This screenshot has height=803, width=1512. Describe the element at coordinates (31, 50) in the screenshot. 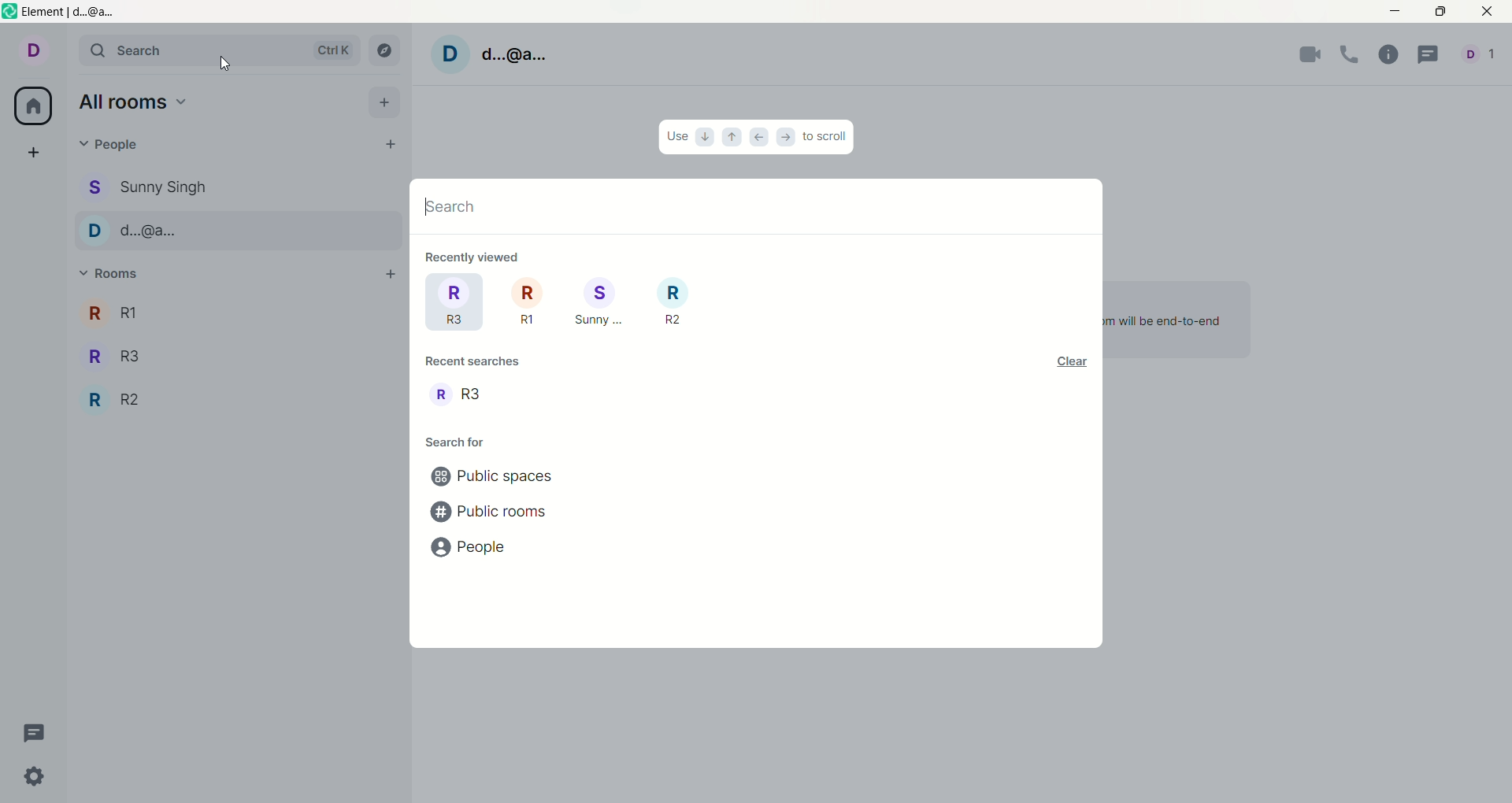

I see `account` at that location.